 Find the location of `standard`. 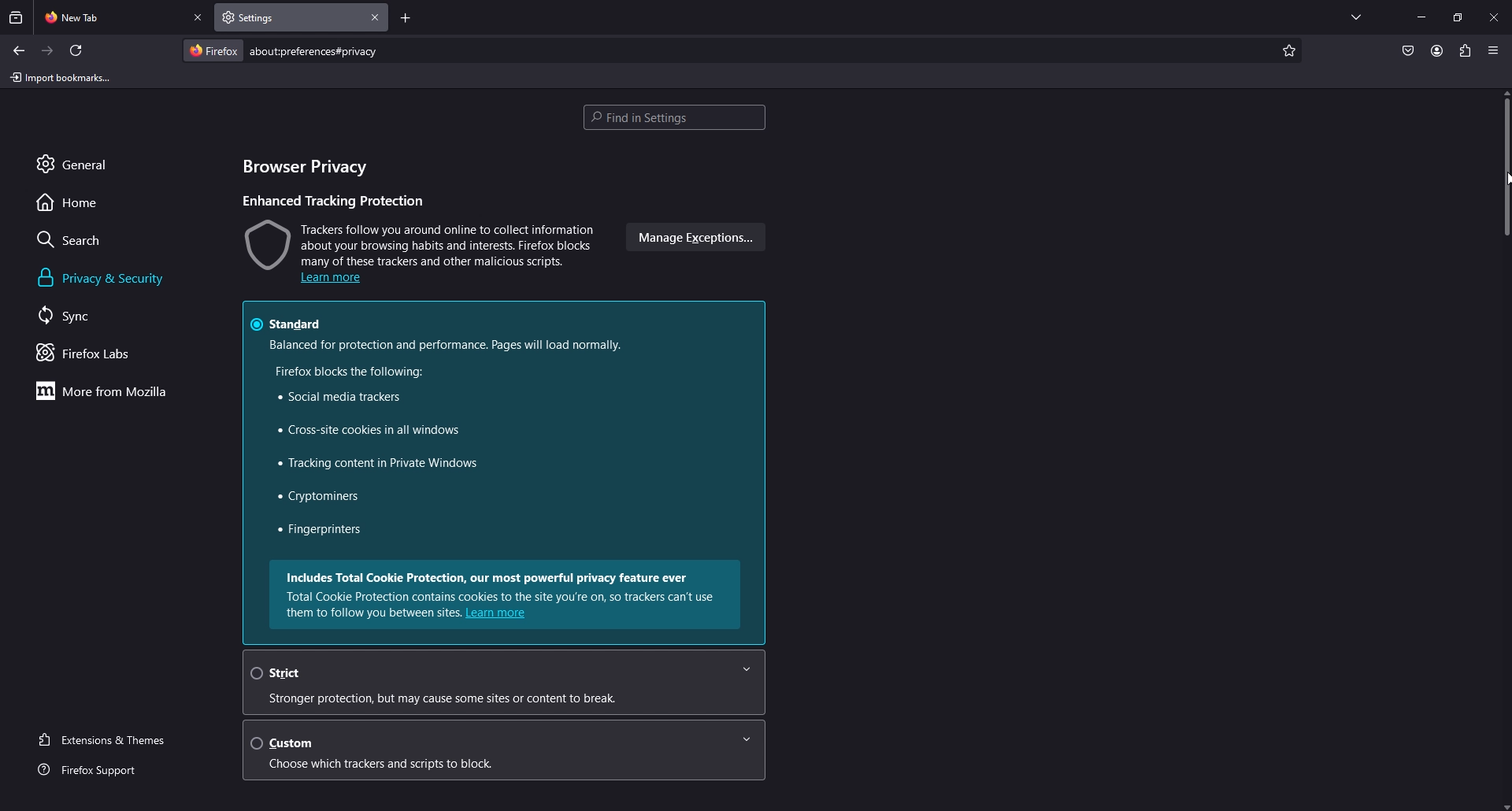

standard is located at coordinates (292, 322).